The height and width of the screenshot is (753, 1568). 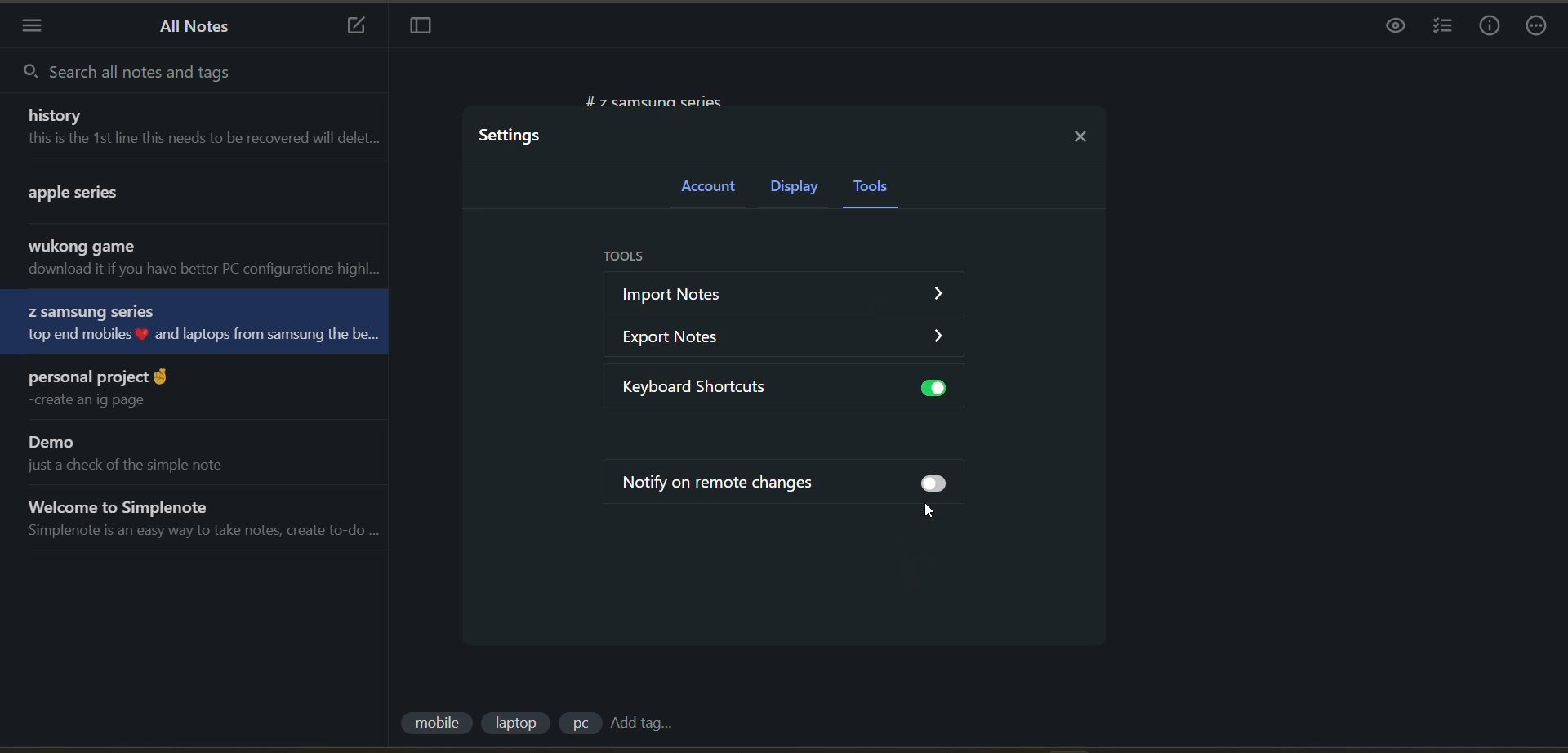 What do you see at coordinates (1488, 27) in the screenshot?
I see `info` at bounding box center [1488, 27].